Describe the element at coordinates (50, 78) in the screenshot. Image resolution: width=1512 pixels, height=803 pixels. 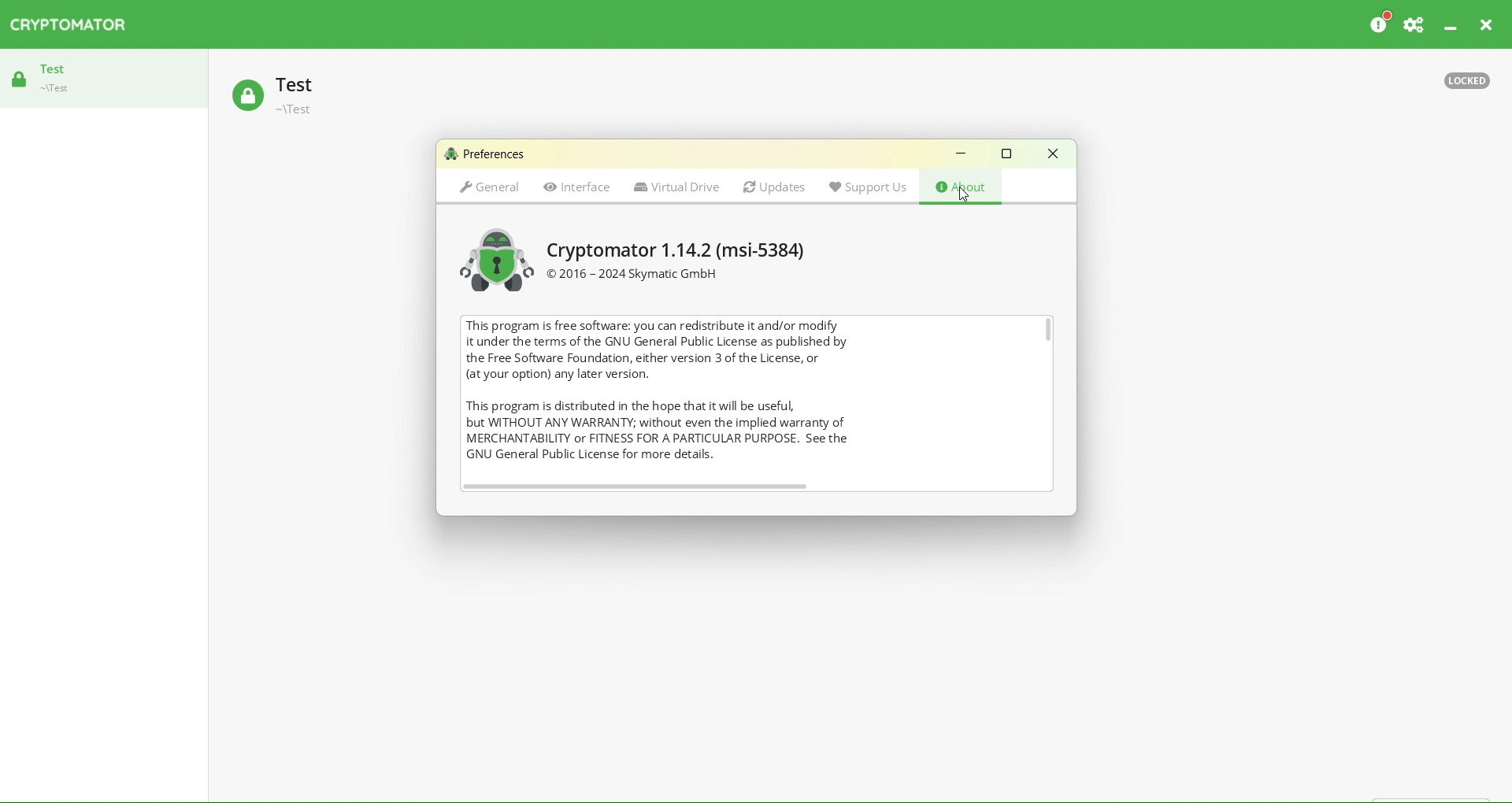
I see `Test` at that location.